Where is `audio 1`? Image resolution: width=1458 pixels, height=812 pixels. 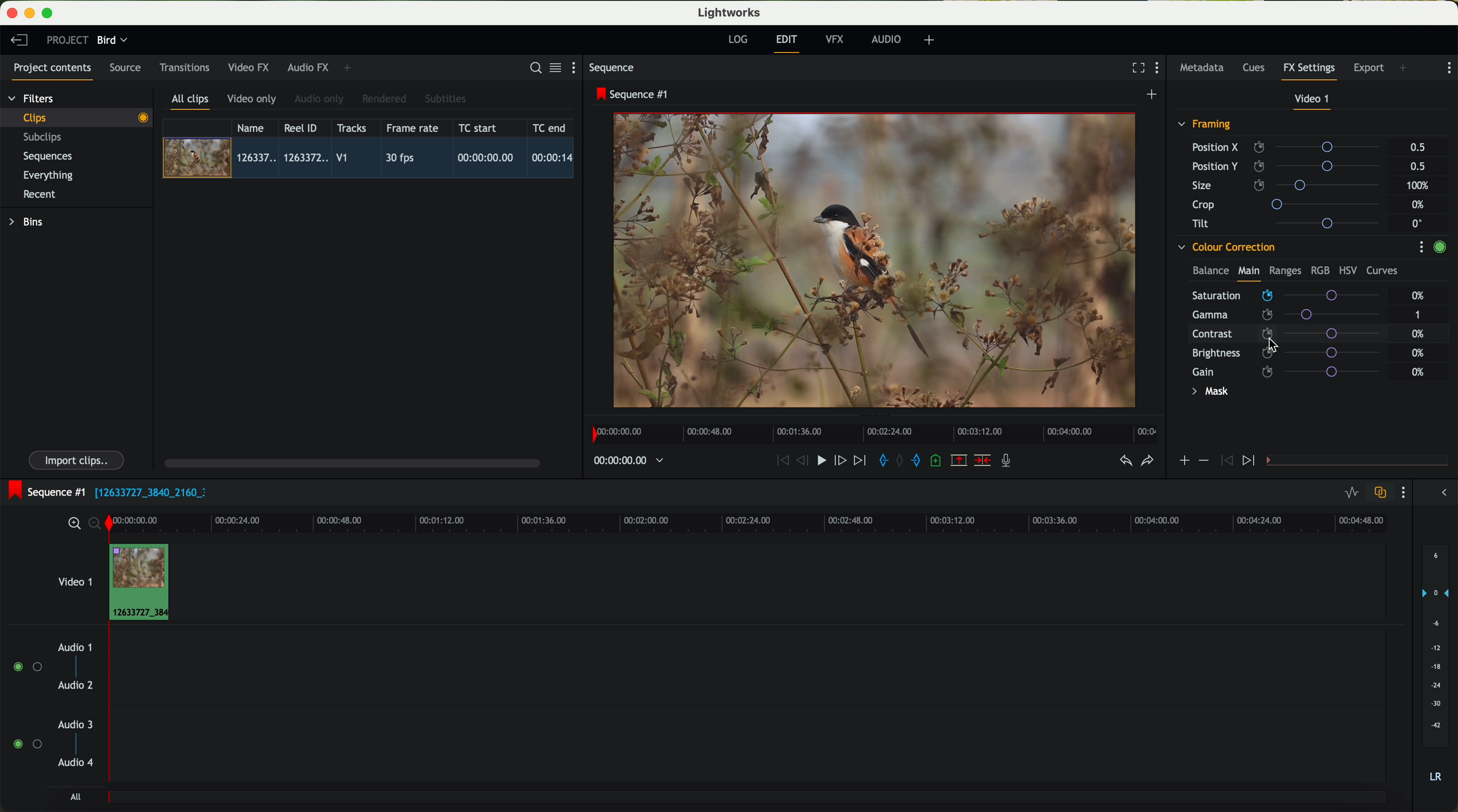 audio 1 is located at coordinates (75, 647).